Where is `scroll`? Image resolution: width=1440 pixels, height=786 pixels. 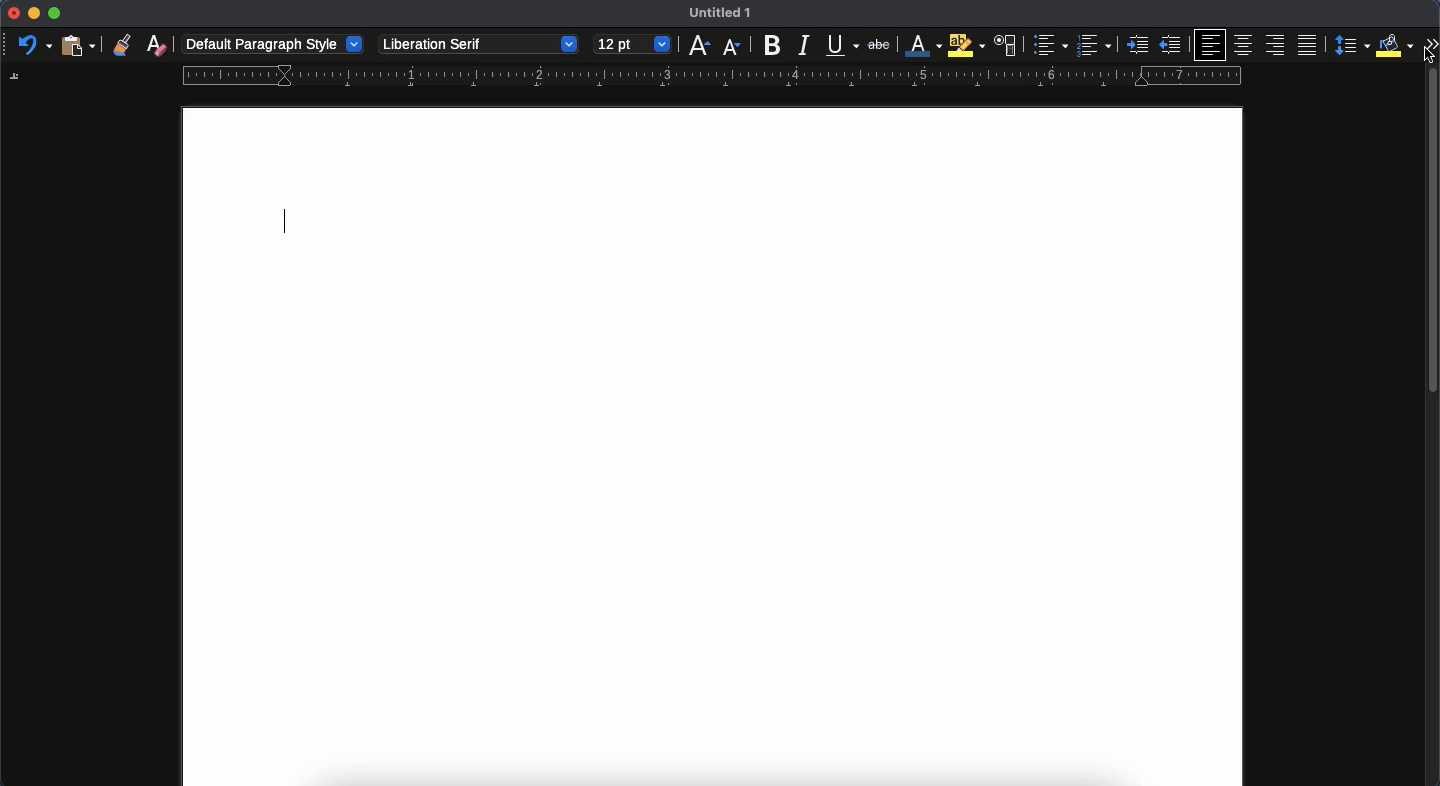
scroll is located at coordinates (1433, 429).